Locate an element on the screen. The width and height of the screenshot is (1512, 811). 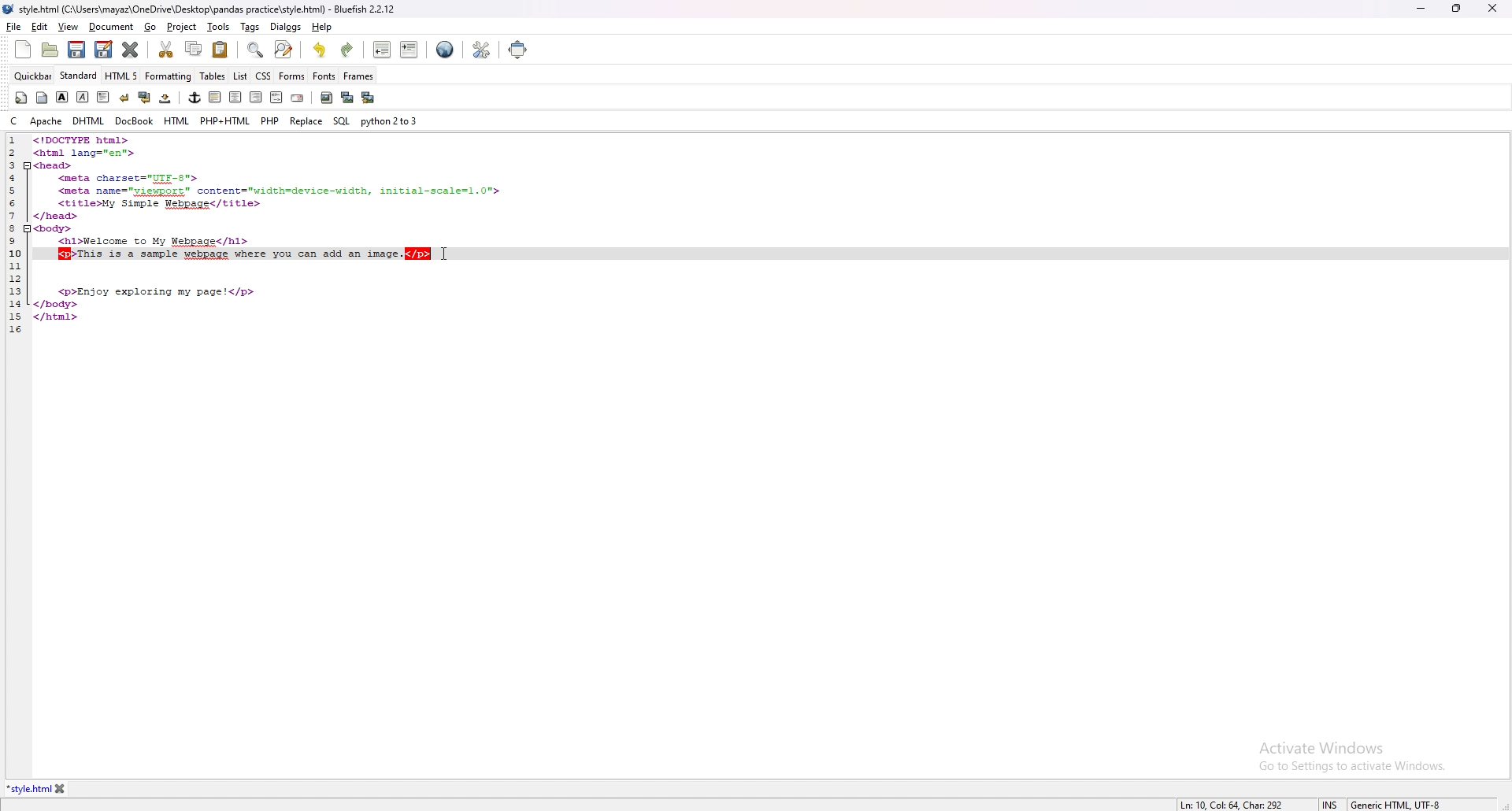
undo is located at coordinates (320, 50).